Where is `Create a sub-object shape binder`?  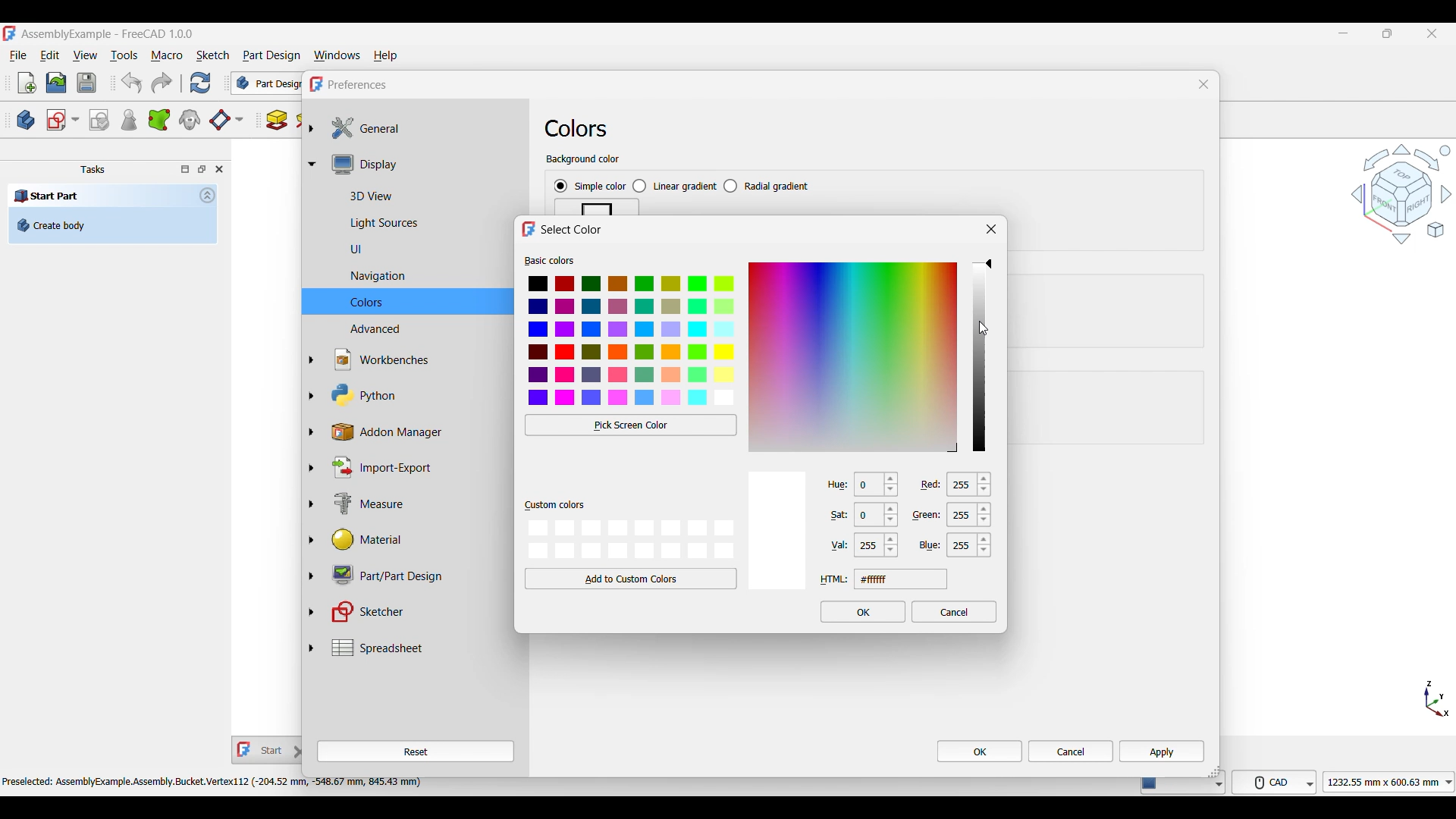 Create a sub-object shape binder is located at coordinates (159, 120).